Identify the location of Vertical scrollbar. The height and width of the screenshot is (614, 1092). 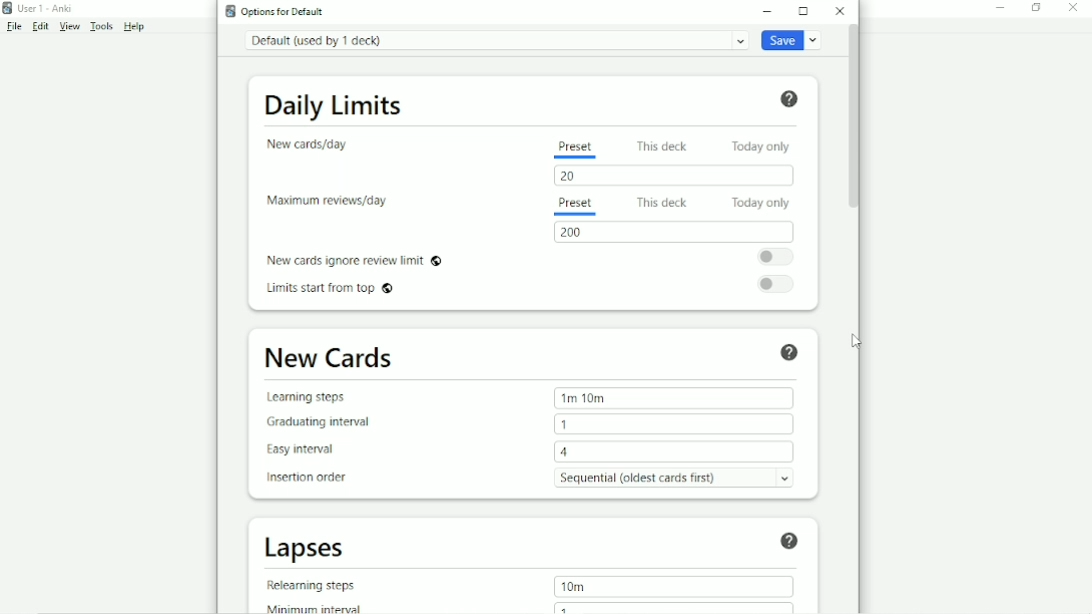
(853, 118).